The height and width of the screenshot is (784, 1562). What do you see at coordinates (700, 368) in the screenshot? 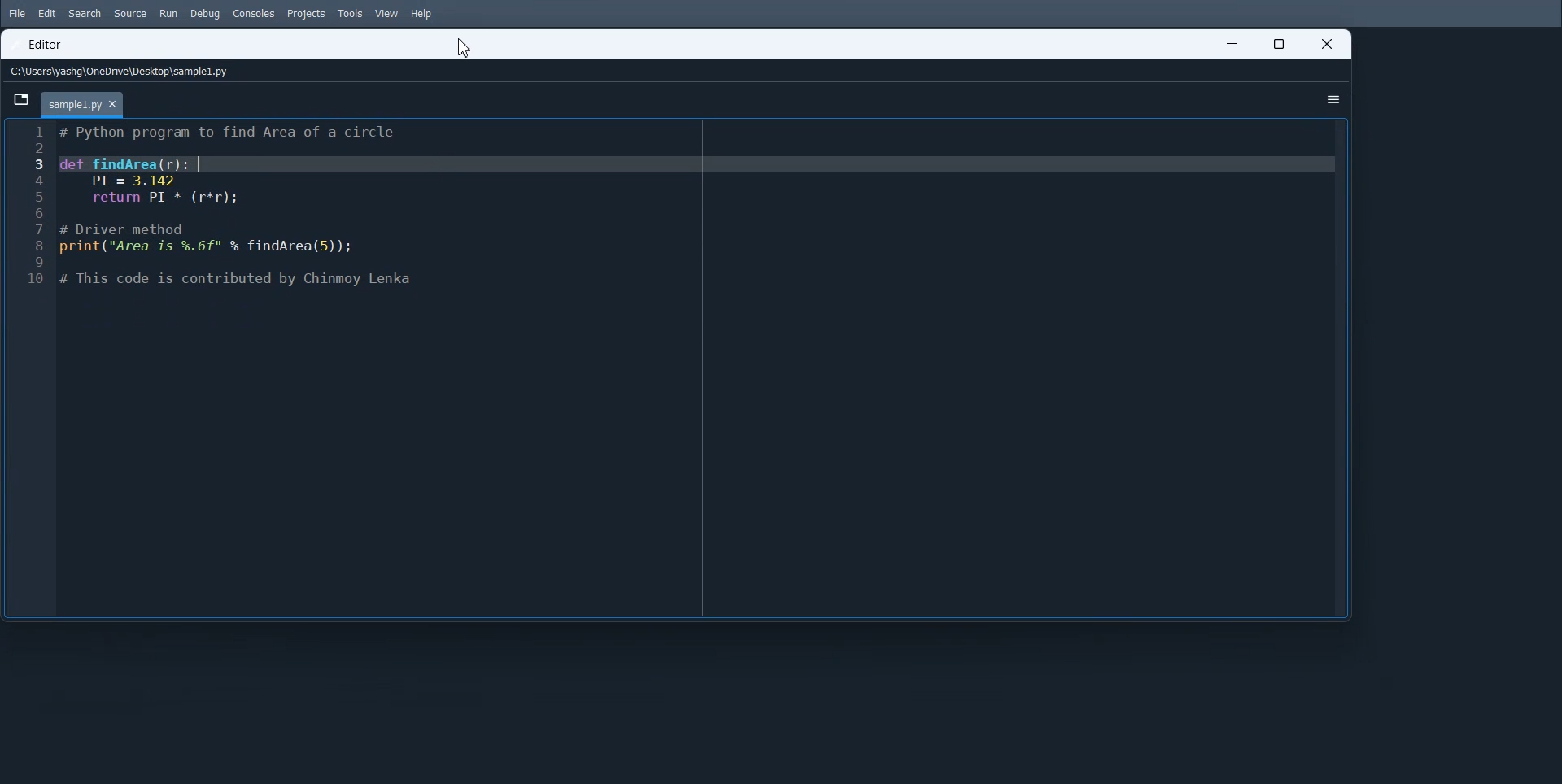
I see `# Function to find the area of a circle def findArea(r):     PI = 3.143     return PI * (r * r)  # Driver method radius = 5  # You can change the value of radius to test with different inputs print("Area is", findArea(radius))` at bounding box center [700, 368].